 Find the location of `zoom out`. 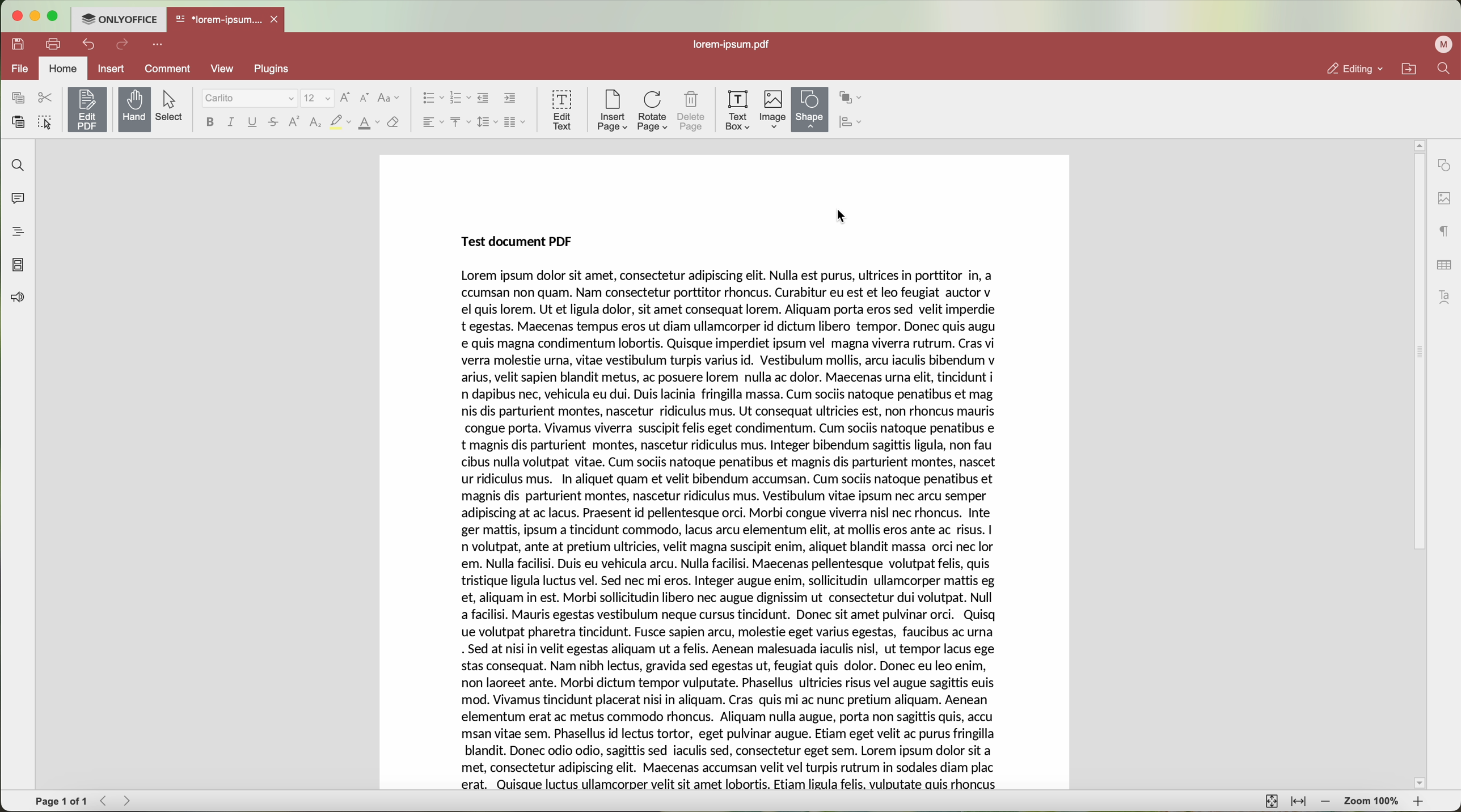

zoom out is located at coordinates (1328, 803).